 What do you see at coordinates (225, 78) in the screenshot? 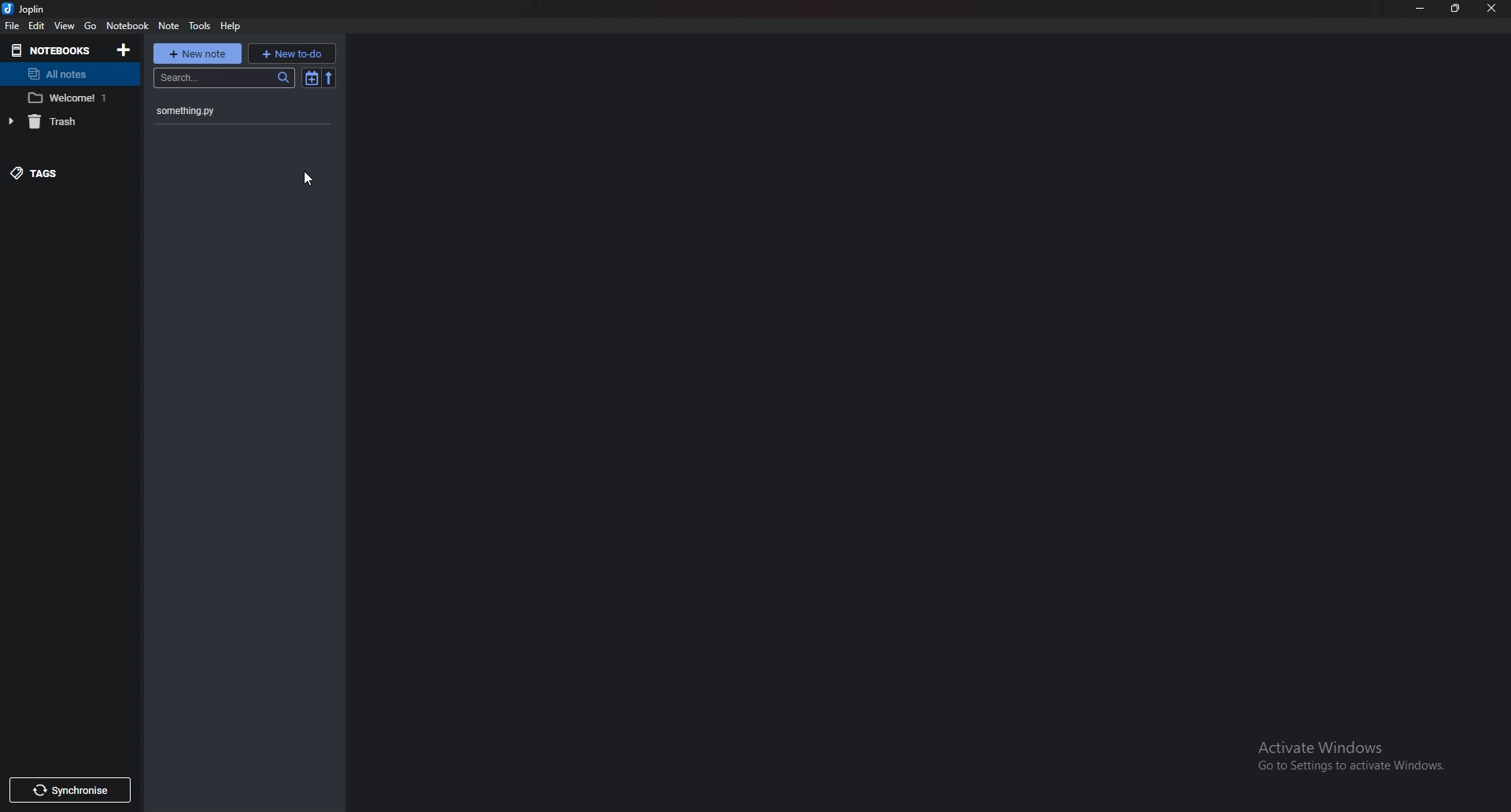
I see `search` at bounding box center [225, 78].